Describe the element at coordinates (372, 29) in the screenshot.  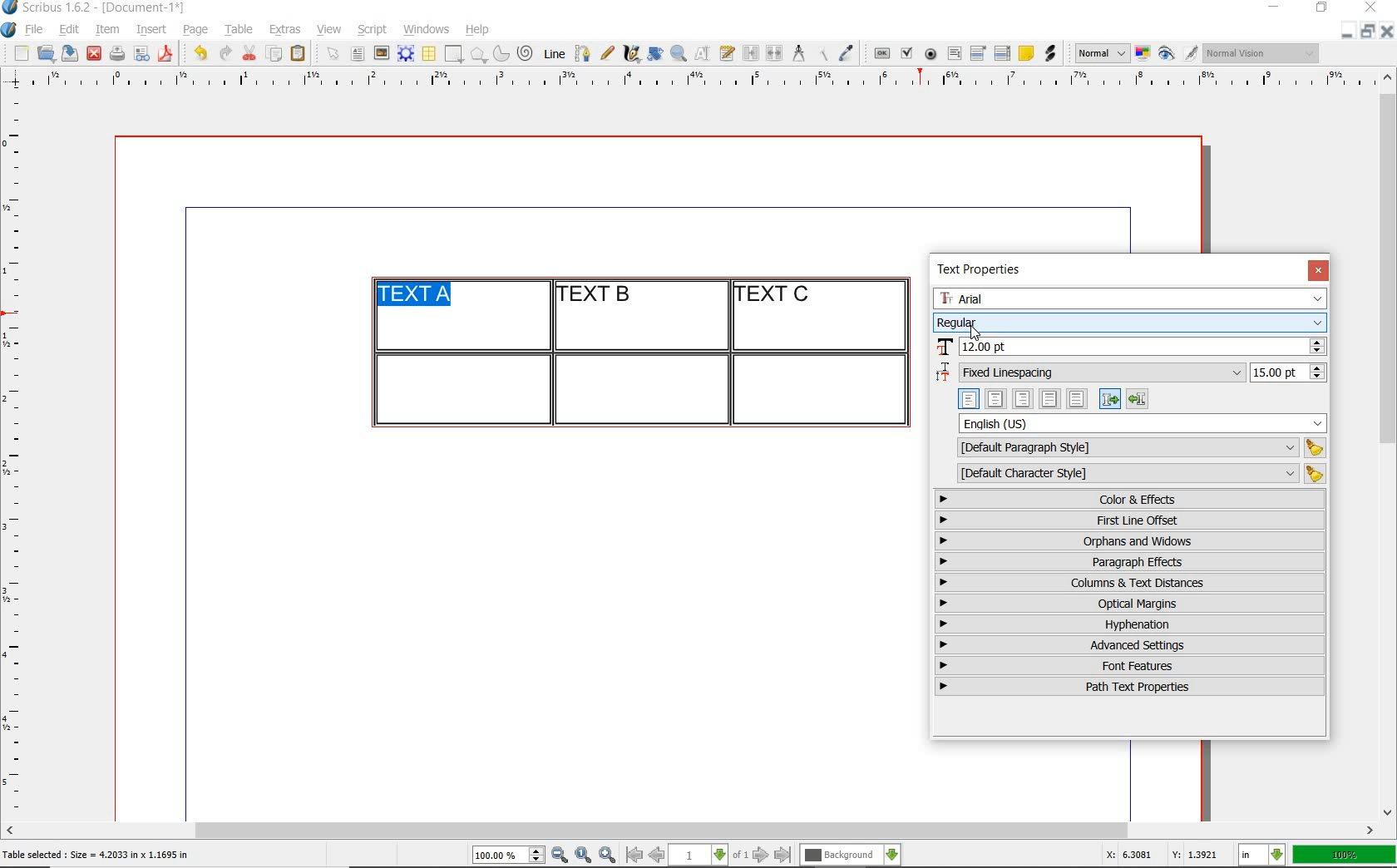
I see `script` at that location.